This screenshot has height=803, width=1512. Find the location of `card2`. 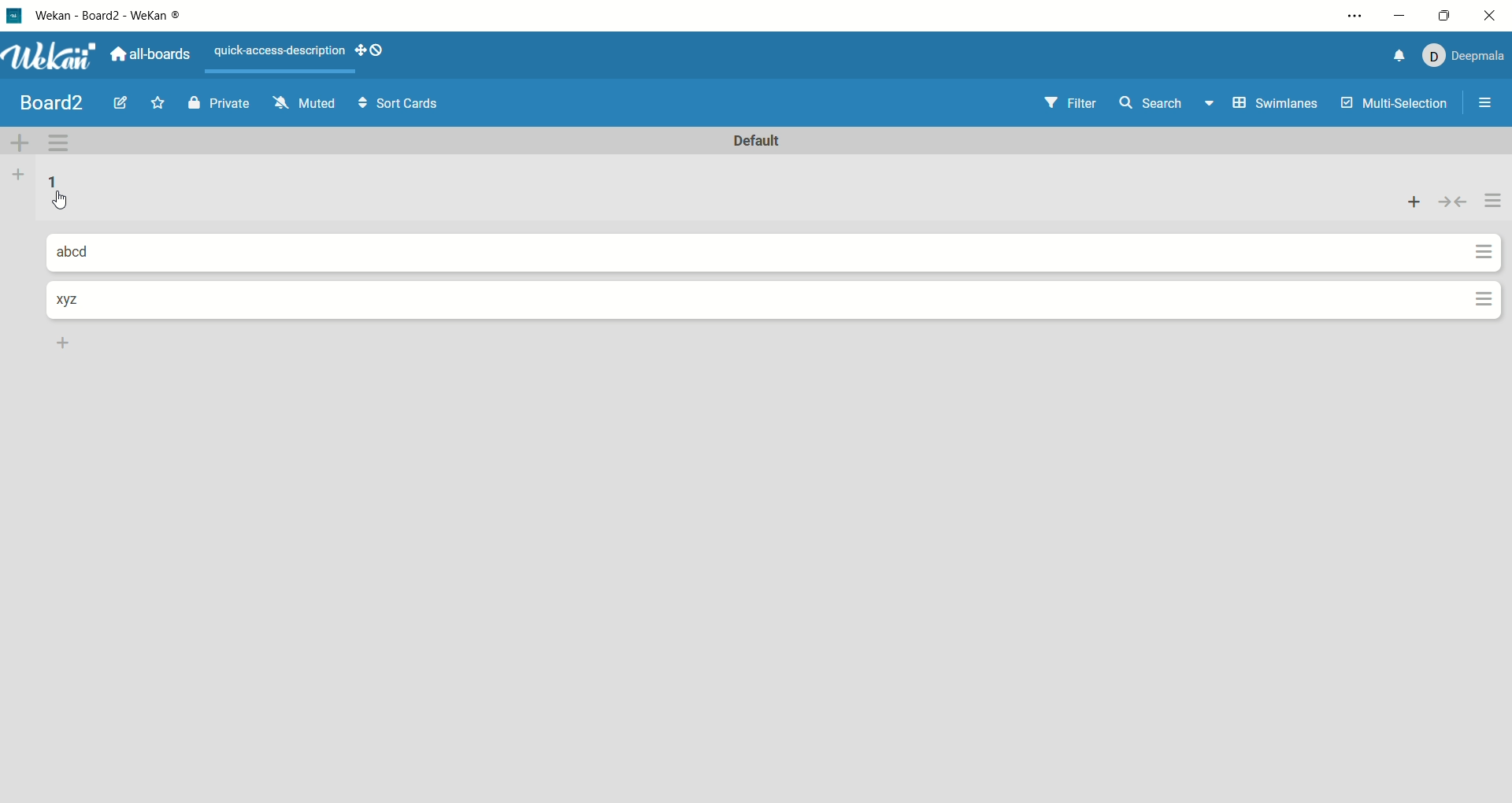

card2 is located at coordinates (69, 301).